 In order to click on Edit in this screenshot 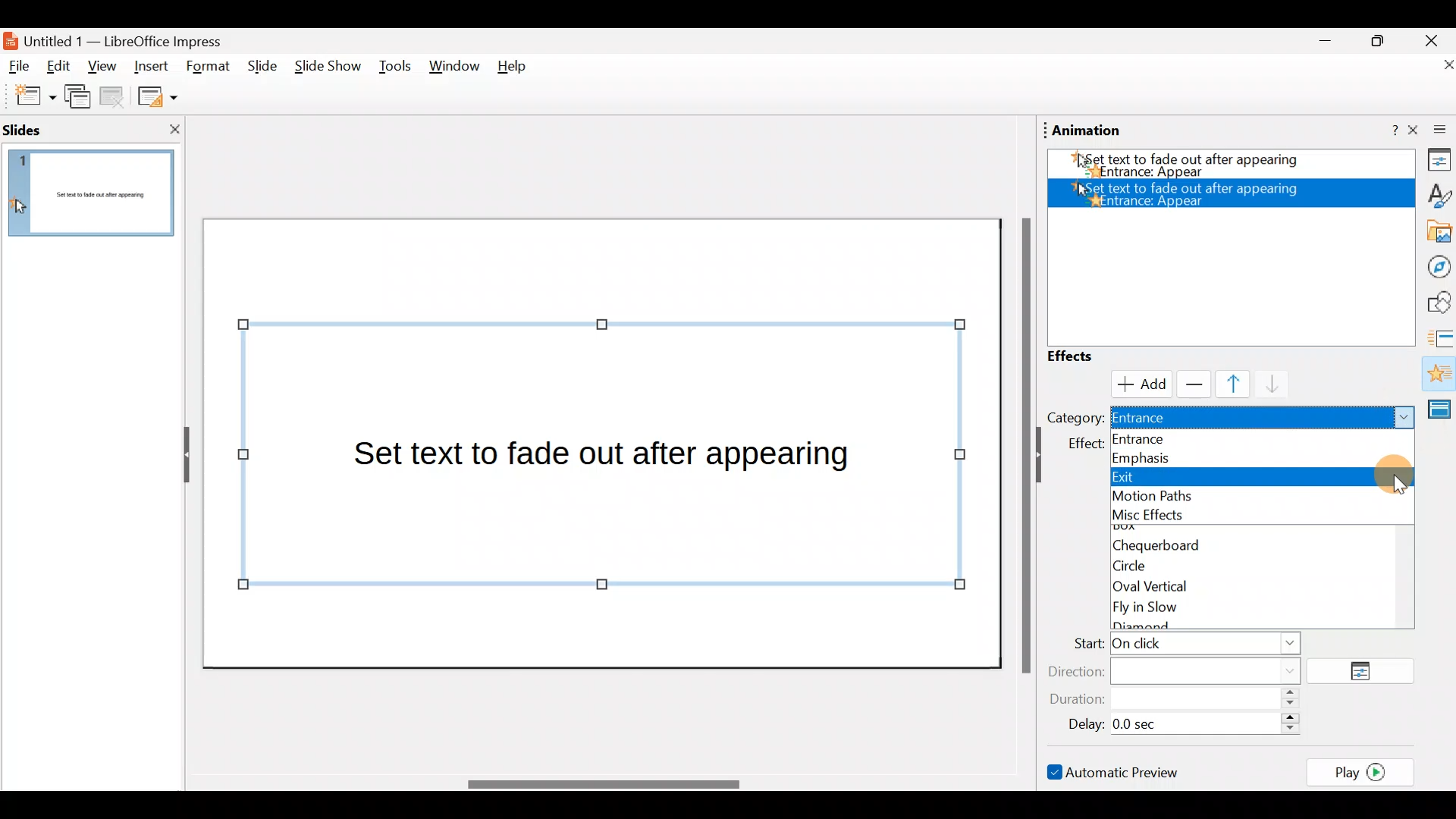, I will do `click(64, 67)`.